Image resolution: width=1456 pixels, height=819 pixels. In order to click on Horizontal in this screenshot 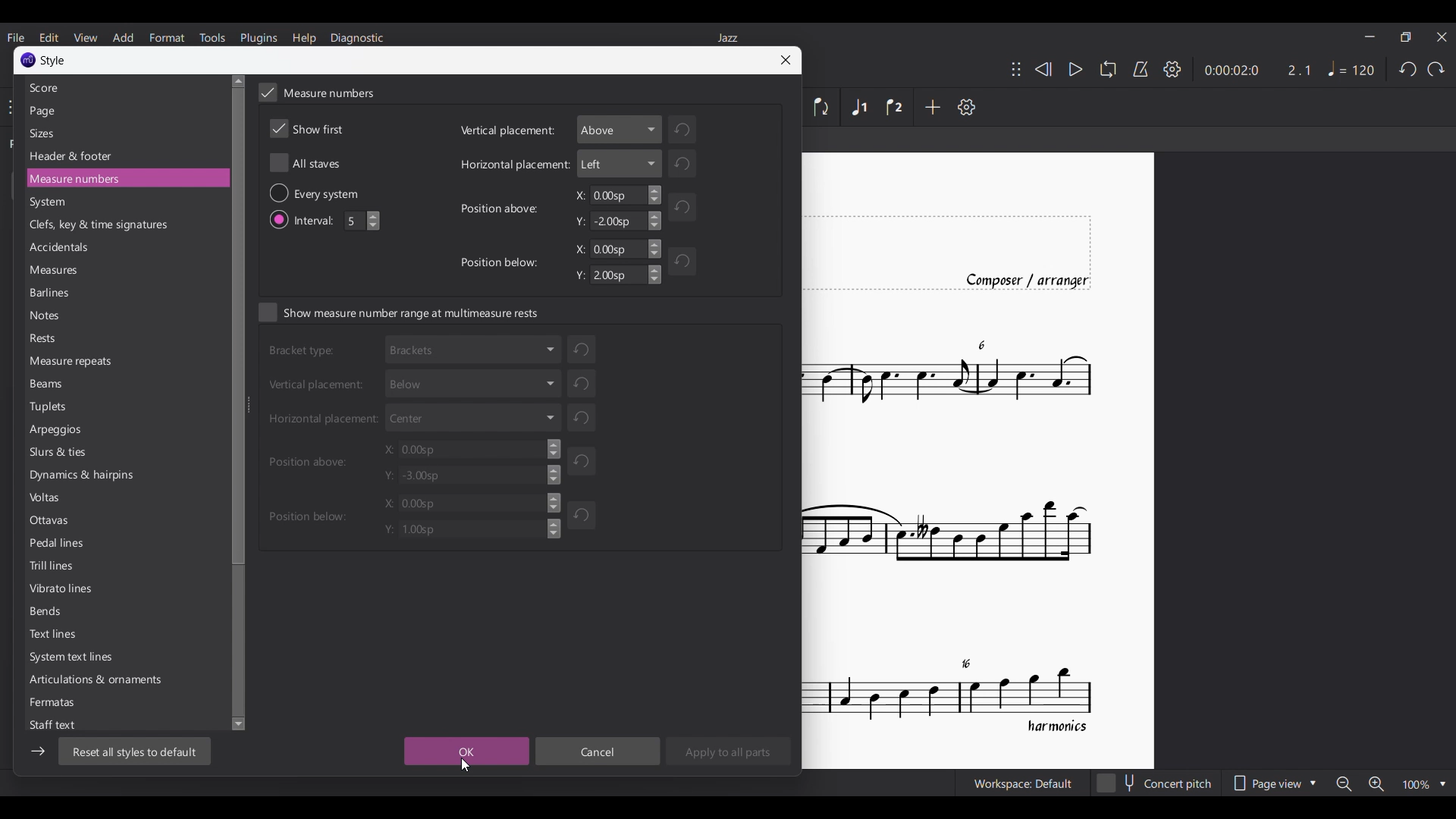, I will do `click(510, 164)`.